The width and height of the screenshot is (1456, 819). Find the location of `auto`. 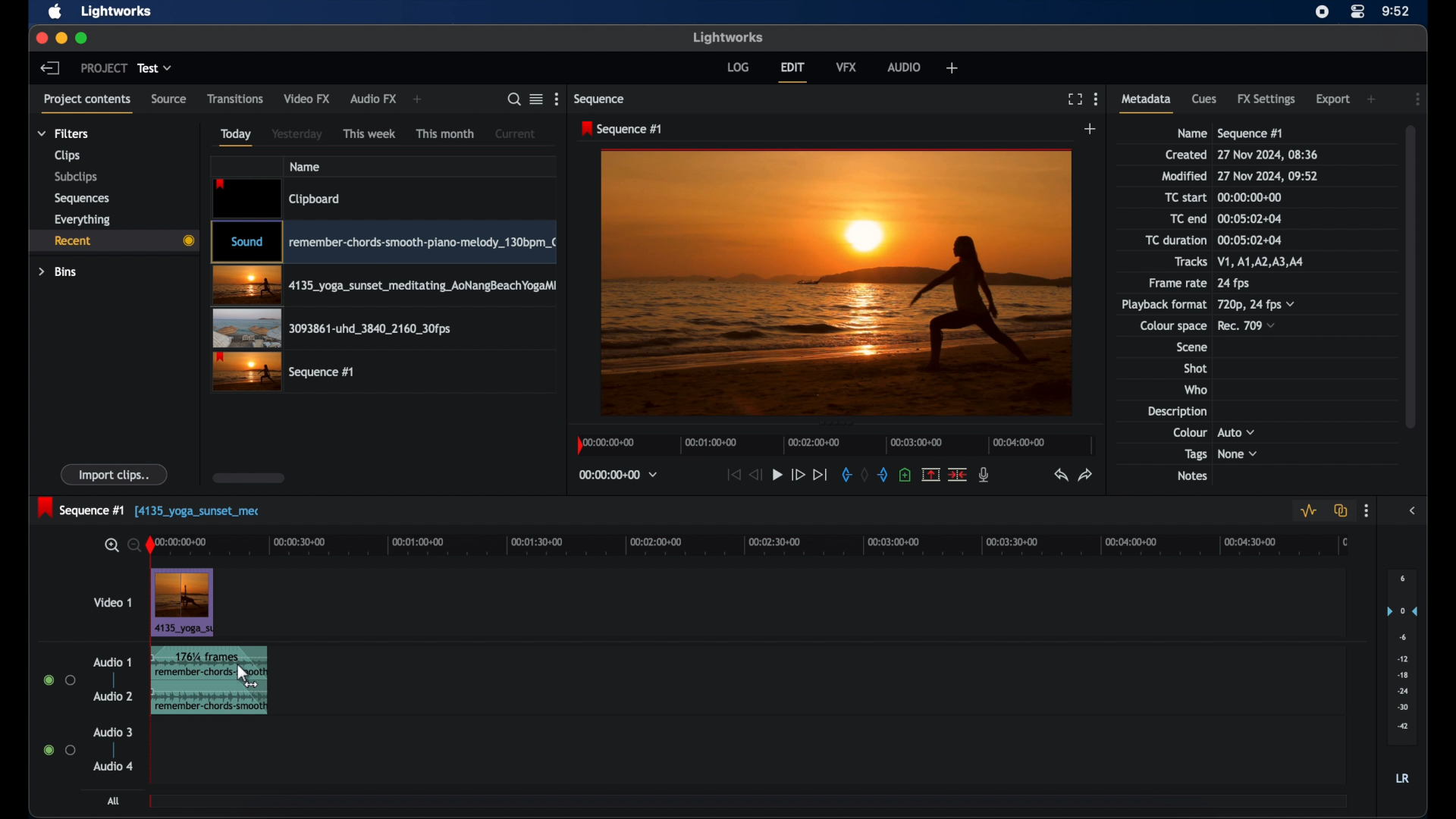

auto is located at coordinates (1237, 431).